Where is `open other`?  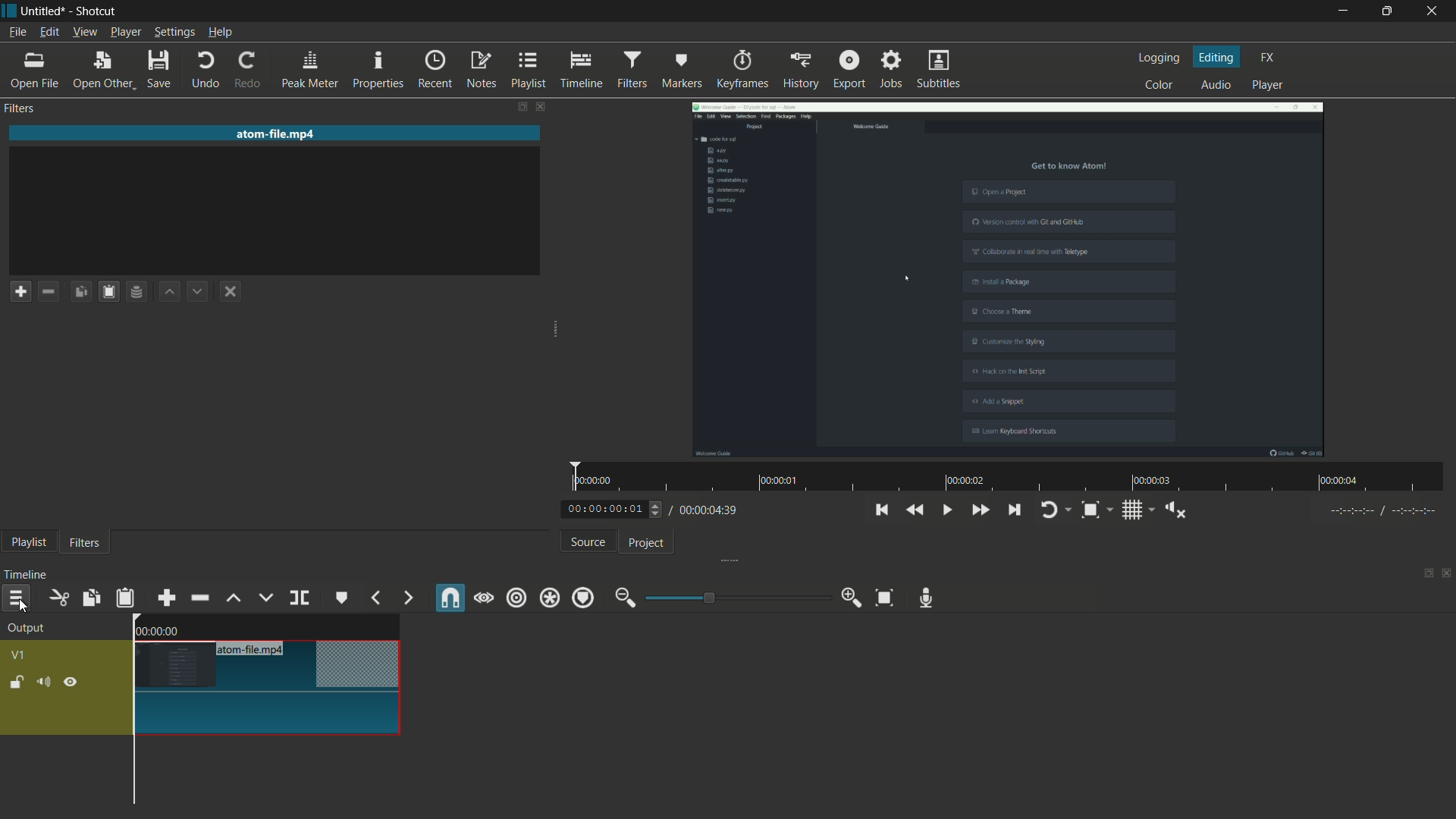 open other is located at coordinates (101, 71).